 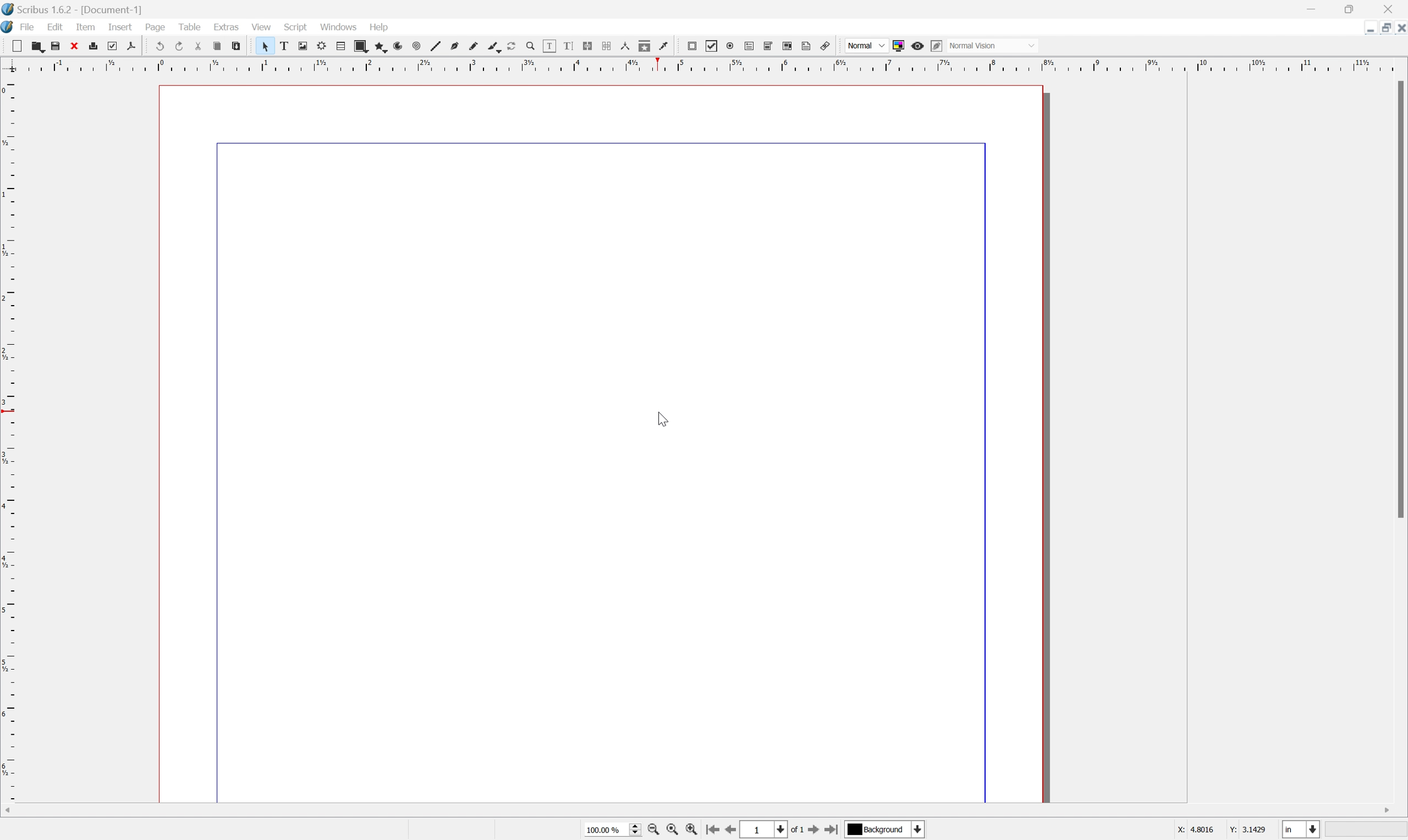 I want to click on print, so click(x=99, y=48).